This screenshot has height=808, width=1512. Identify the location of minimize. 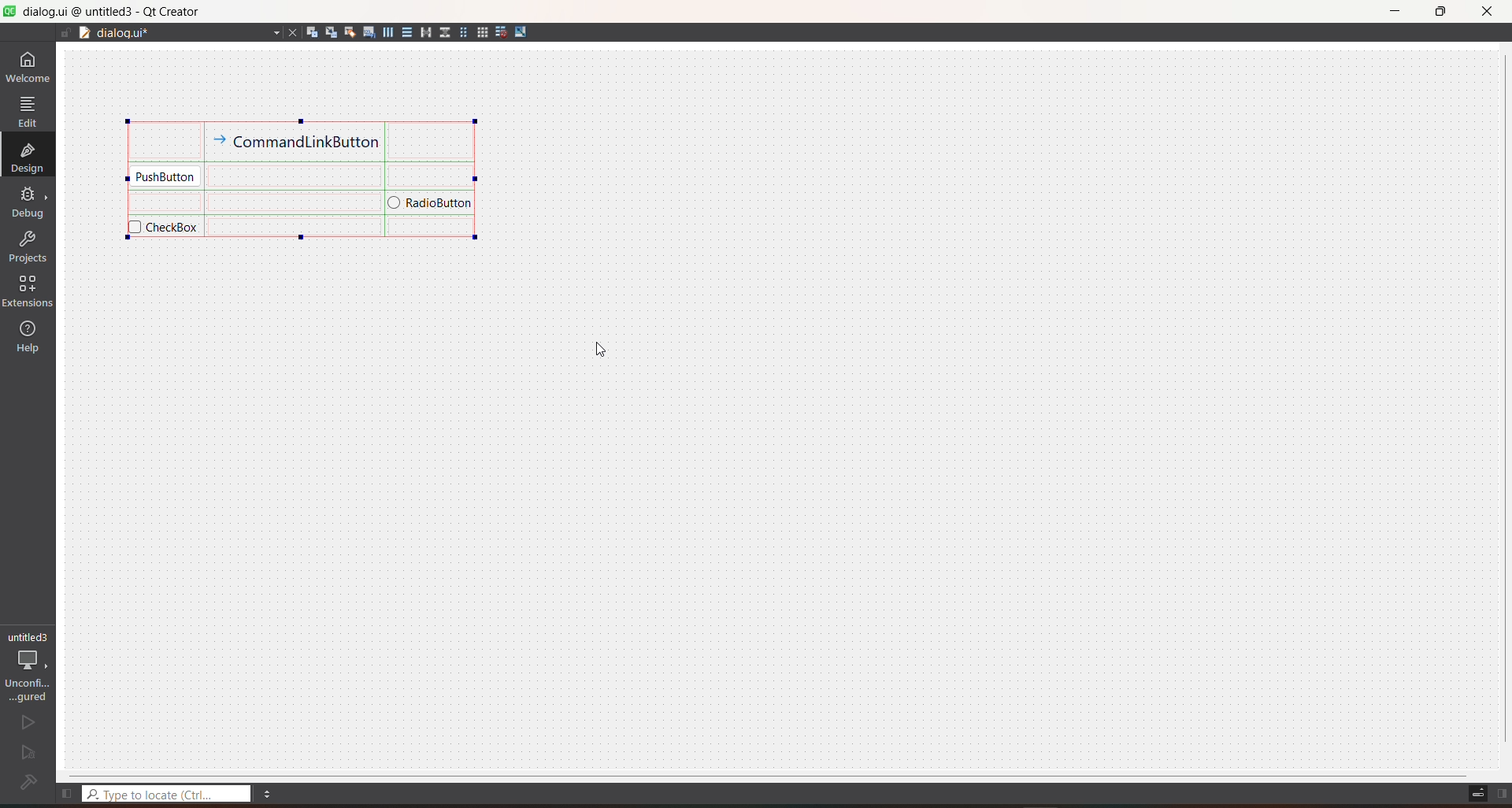
(1395, 11).